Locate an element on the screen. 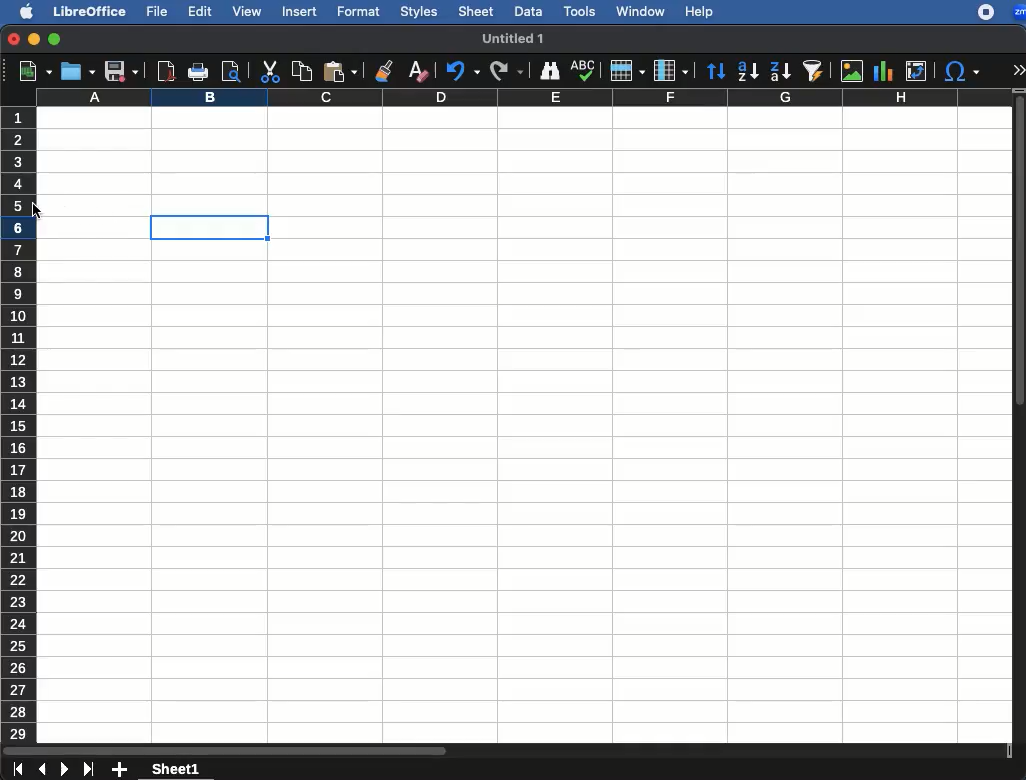  libreoffice is located at coordinates (88, 11).